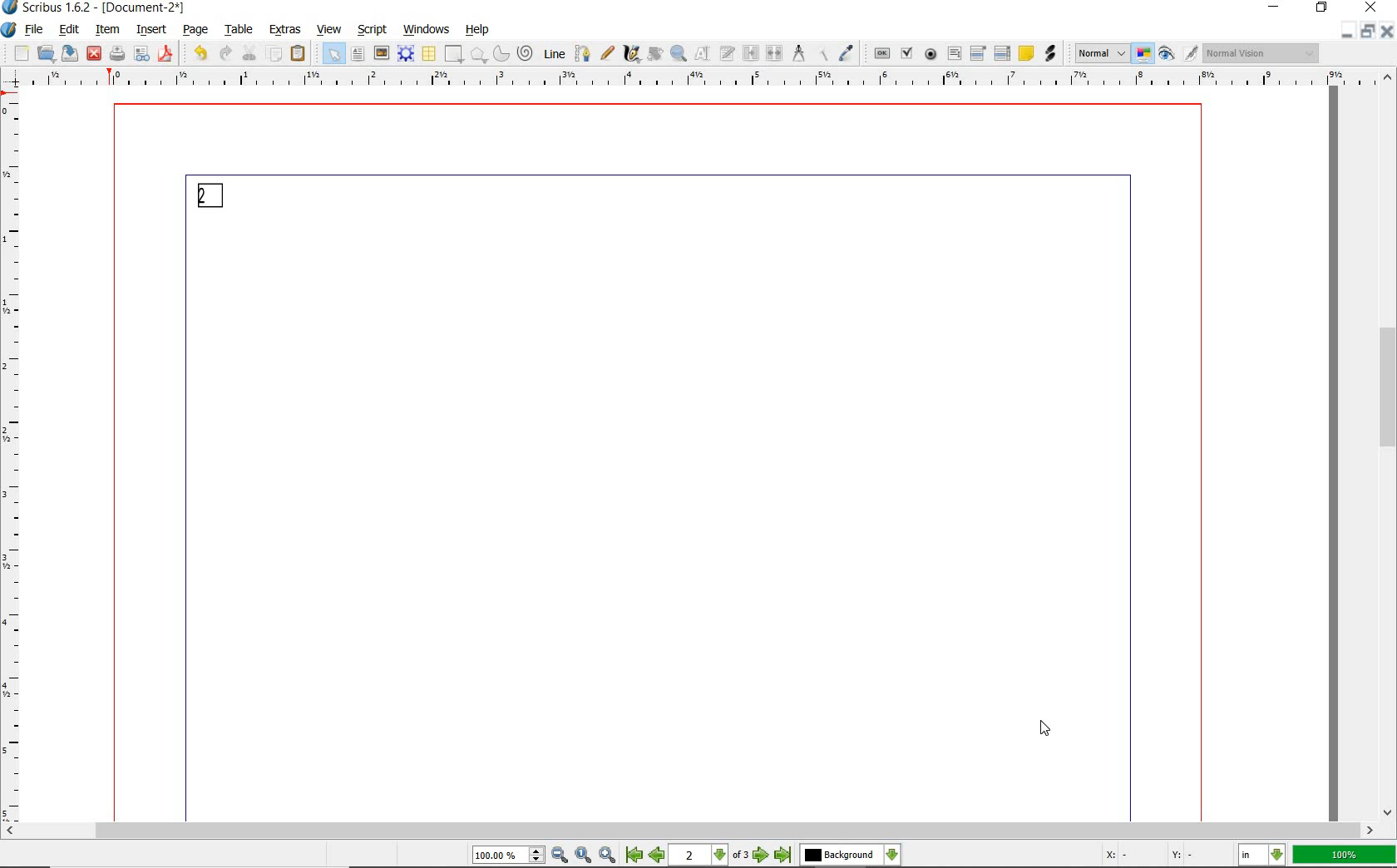  Describe the element at coordinates (583, 53) in the screenshot. I see `Bezier curve` at that location.